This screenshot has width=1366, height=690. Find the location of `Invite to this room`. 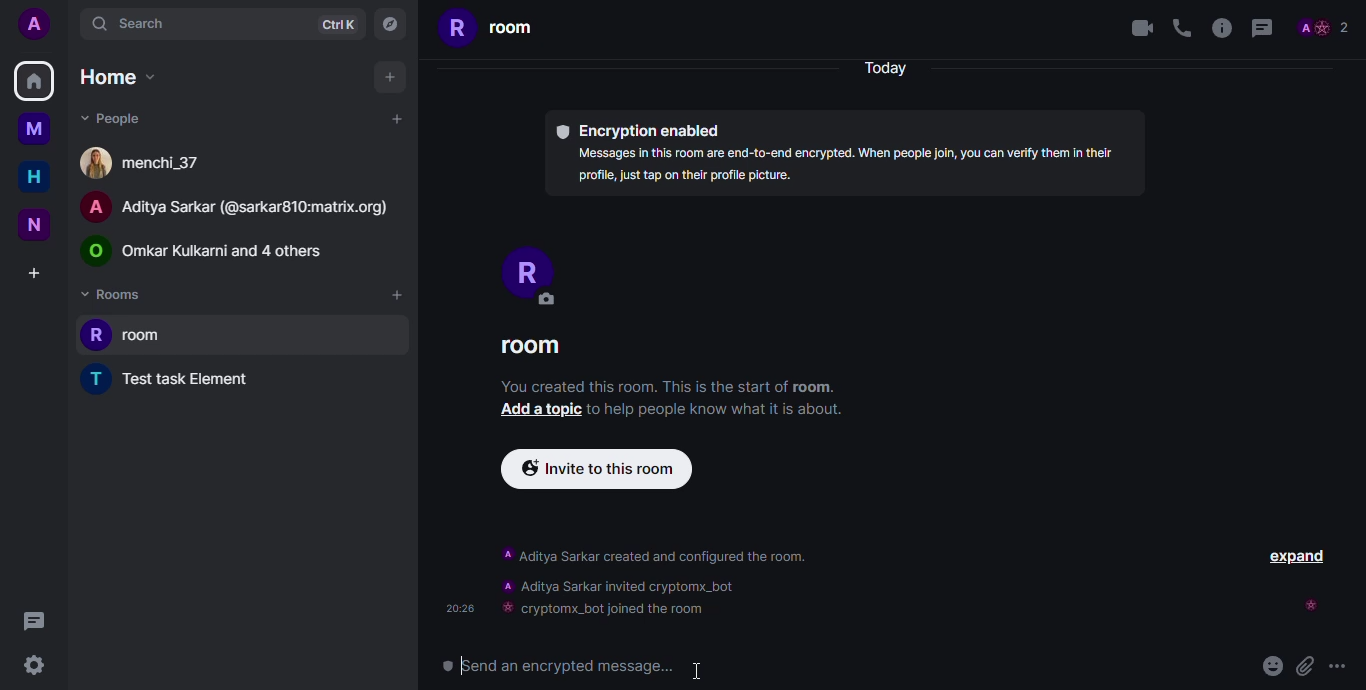

Invite to this room is located at coordinates (595, 470).